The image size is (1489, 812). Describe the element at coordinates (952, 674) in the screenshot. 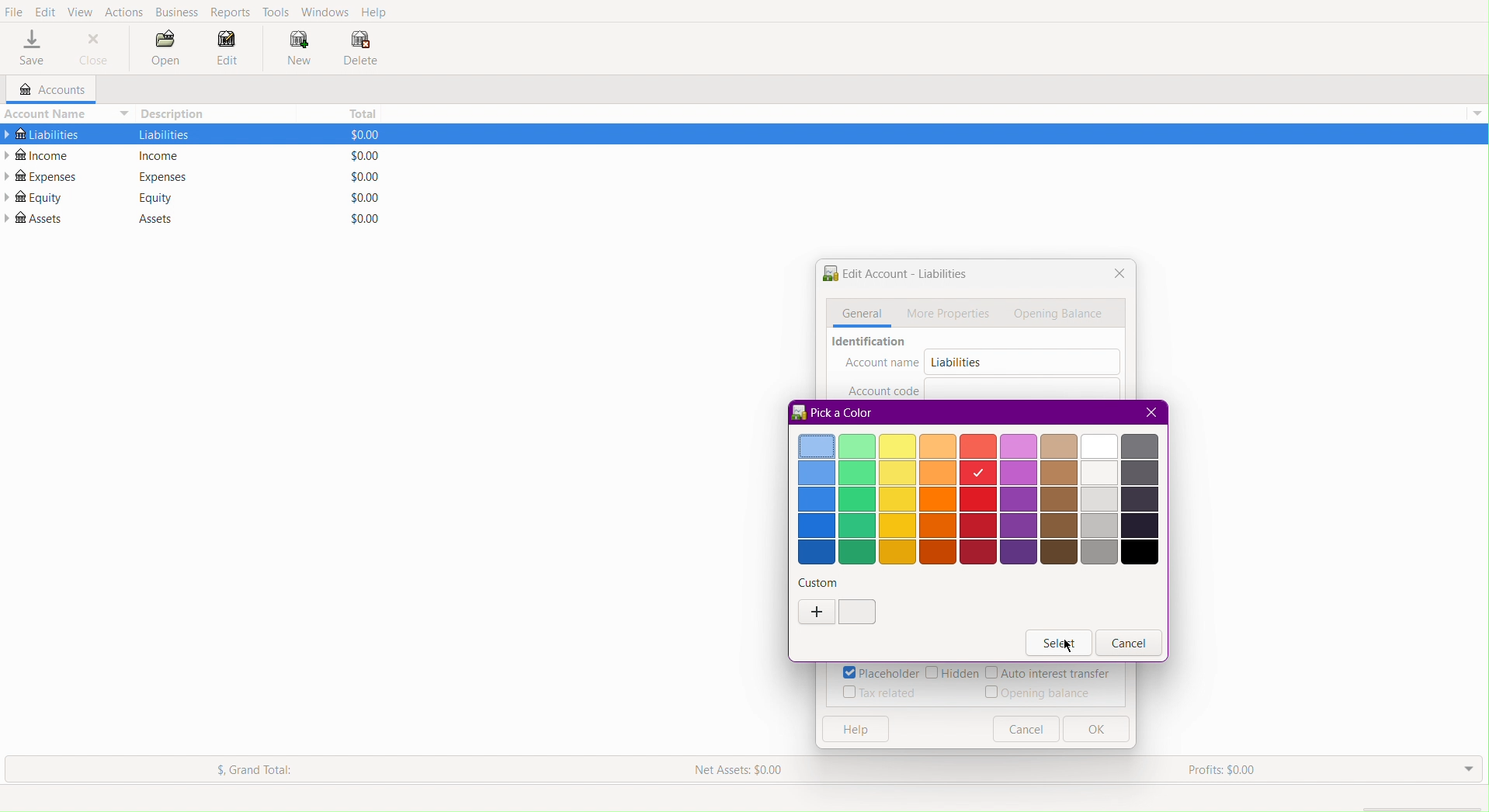

I see `Hidden` at that location.